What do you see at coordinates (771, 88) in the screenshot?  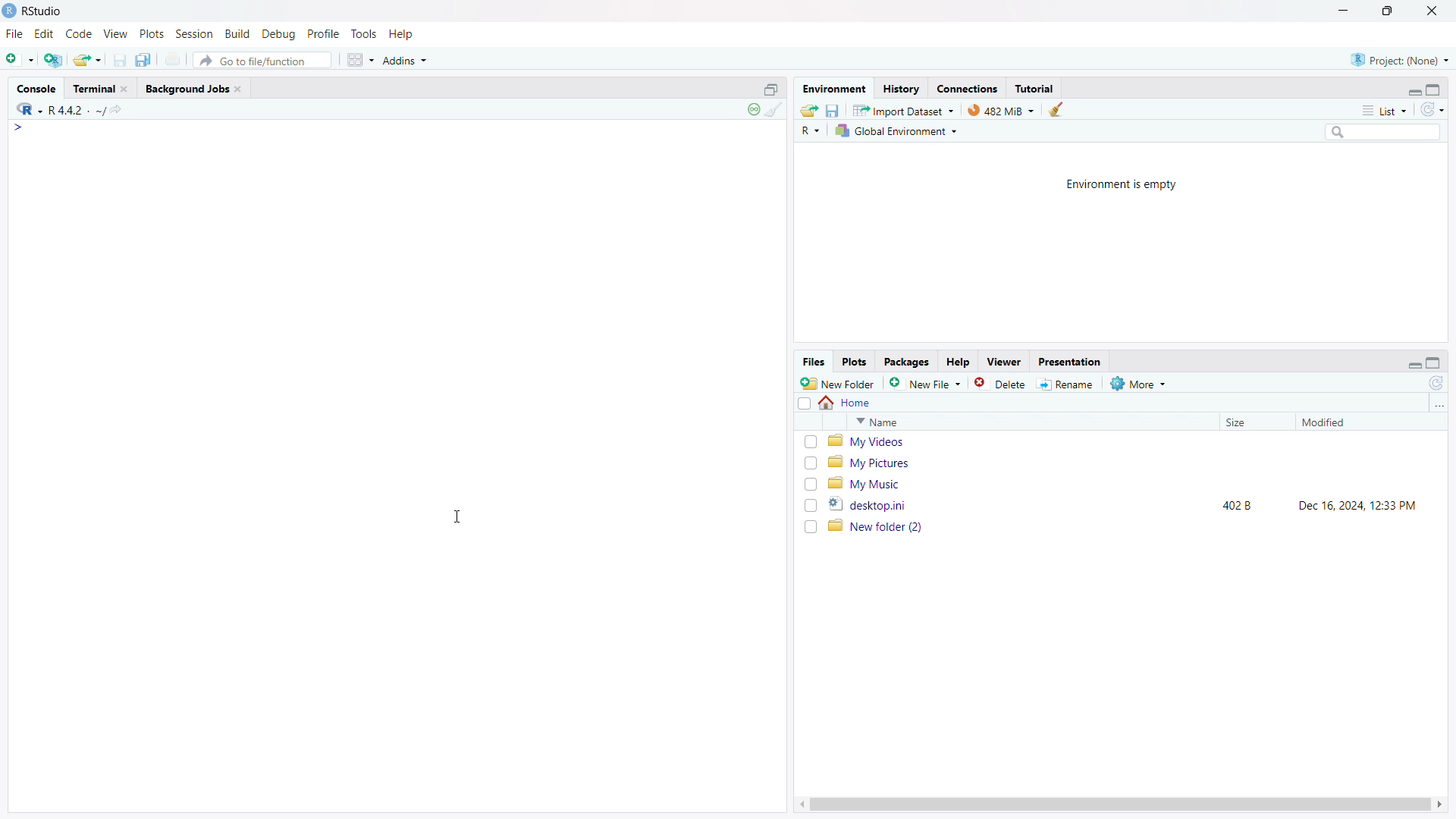 I see `open new console` at bounding box center [771, 88].